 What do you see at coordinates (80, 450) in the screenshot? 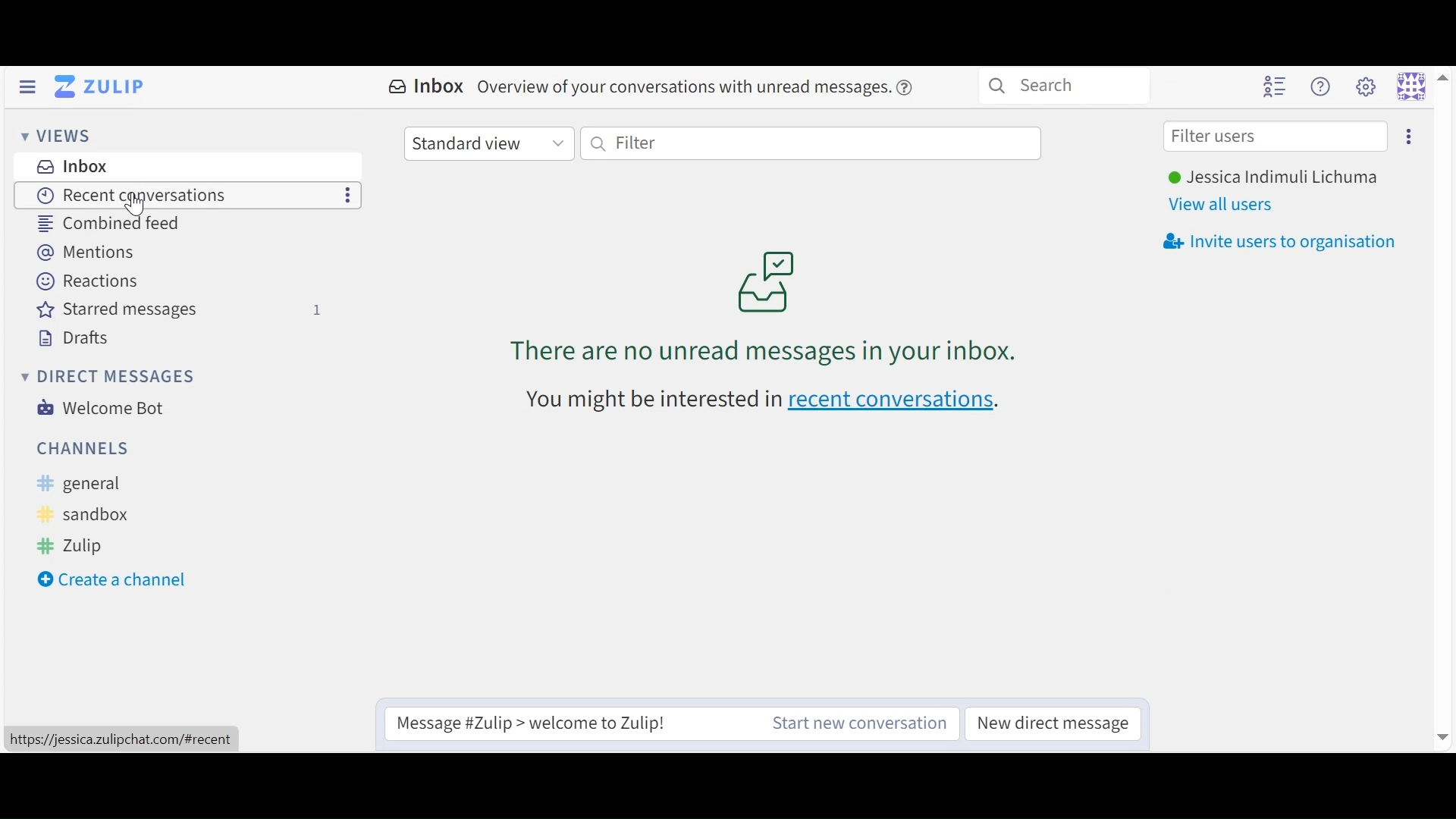
I see `Channels` at bounding box center [80, 450].